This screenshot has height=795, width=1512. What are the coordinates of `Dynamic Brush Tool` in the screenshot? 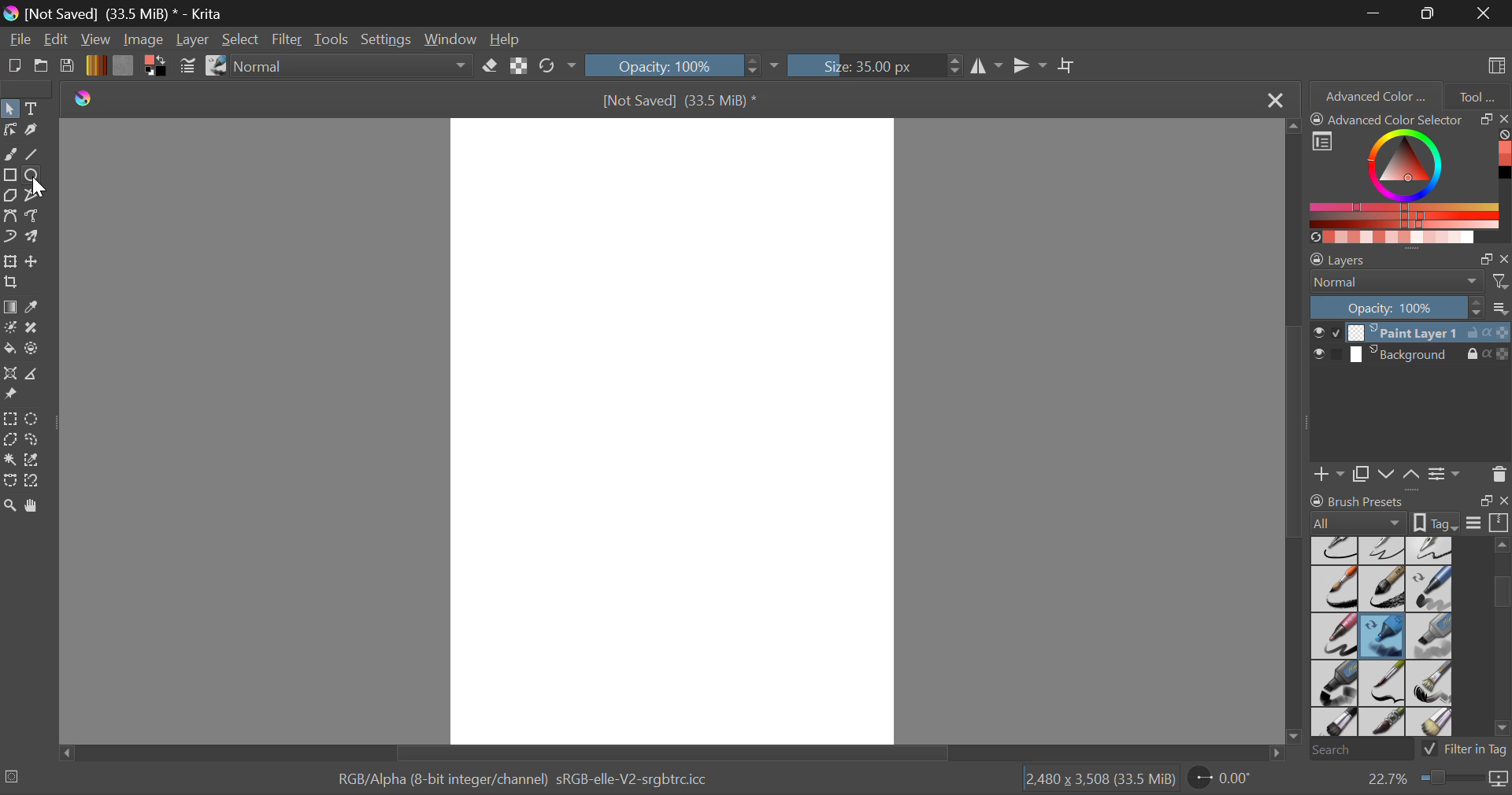 It's located at (9, 238).